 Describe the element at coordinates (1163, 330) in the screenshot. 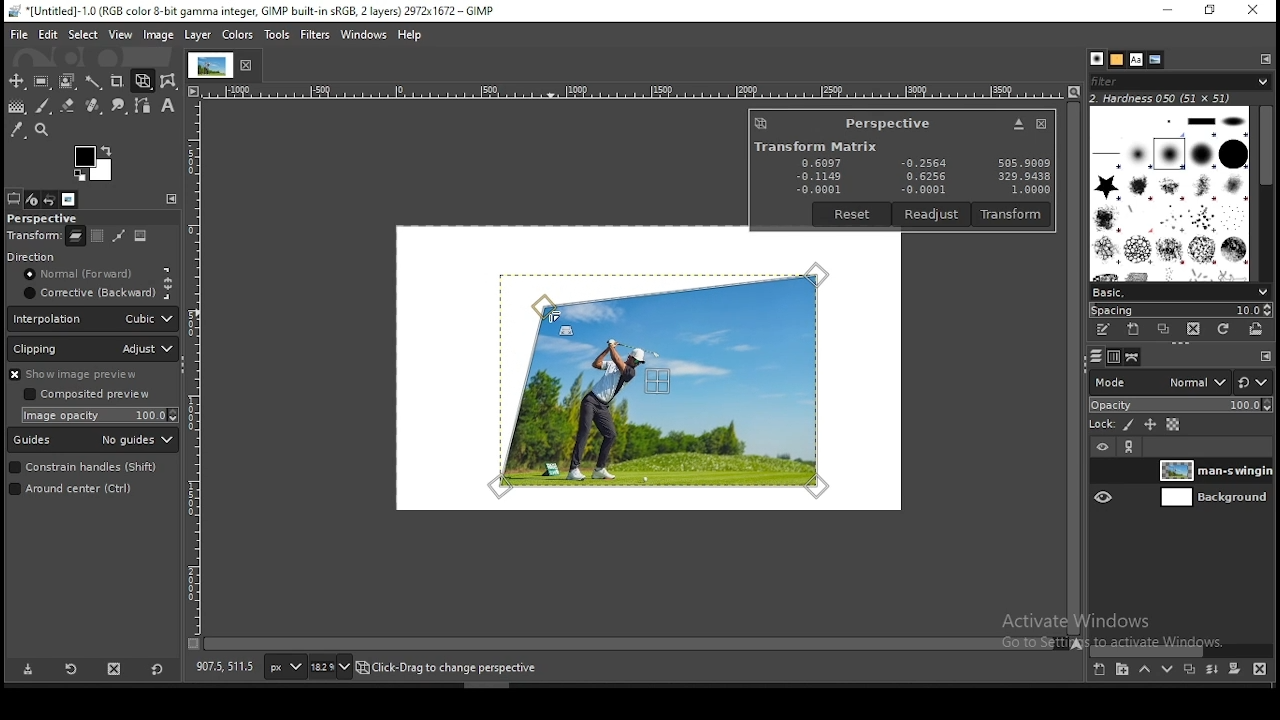

I see `duplicate brush` at that location.